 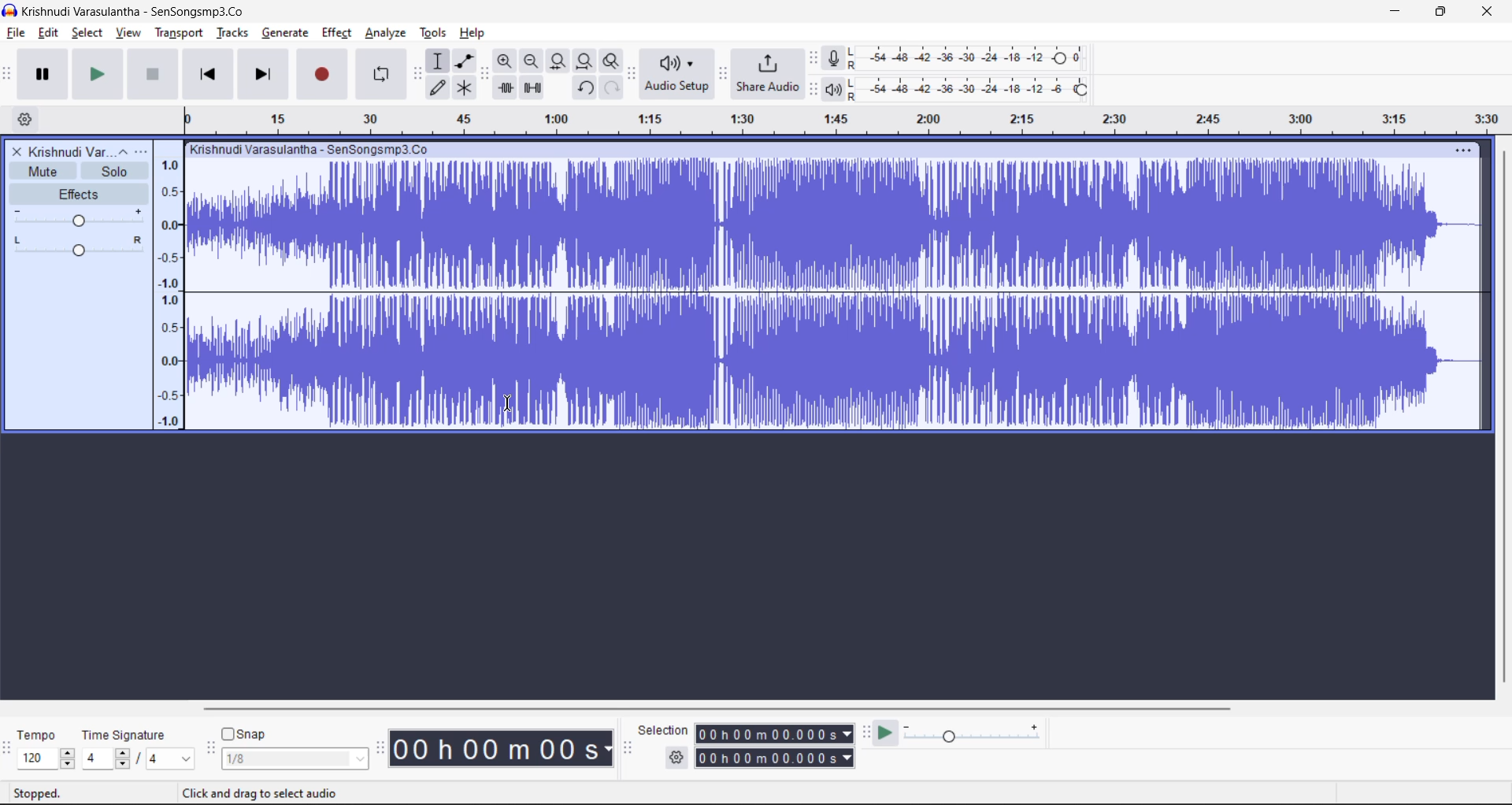 What do you see at coordinates (531, 60) in the screenshot?
I see `zoom out` at bounding box center [531, 60].